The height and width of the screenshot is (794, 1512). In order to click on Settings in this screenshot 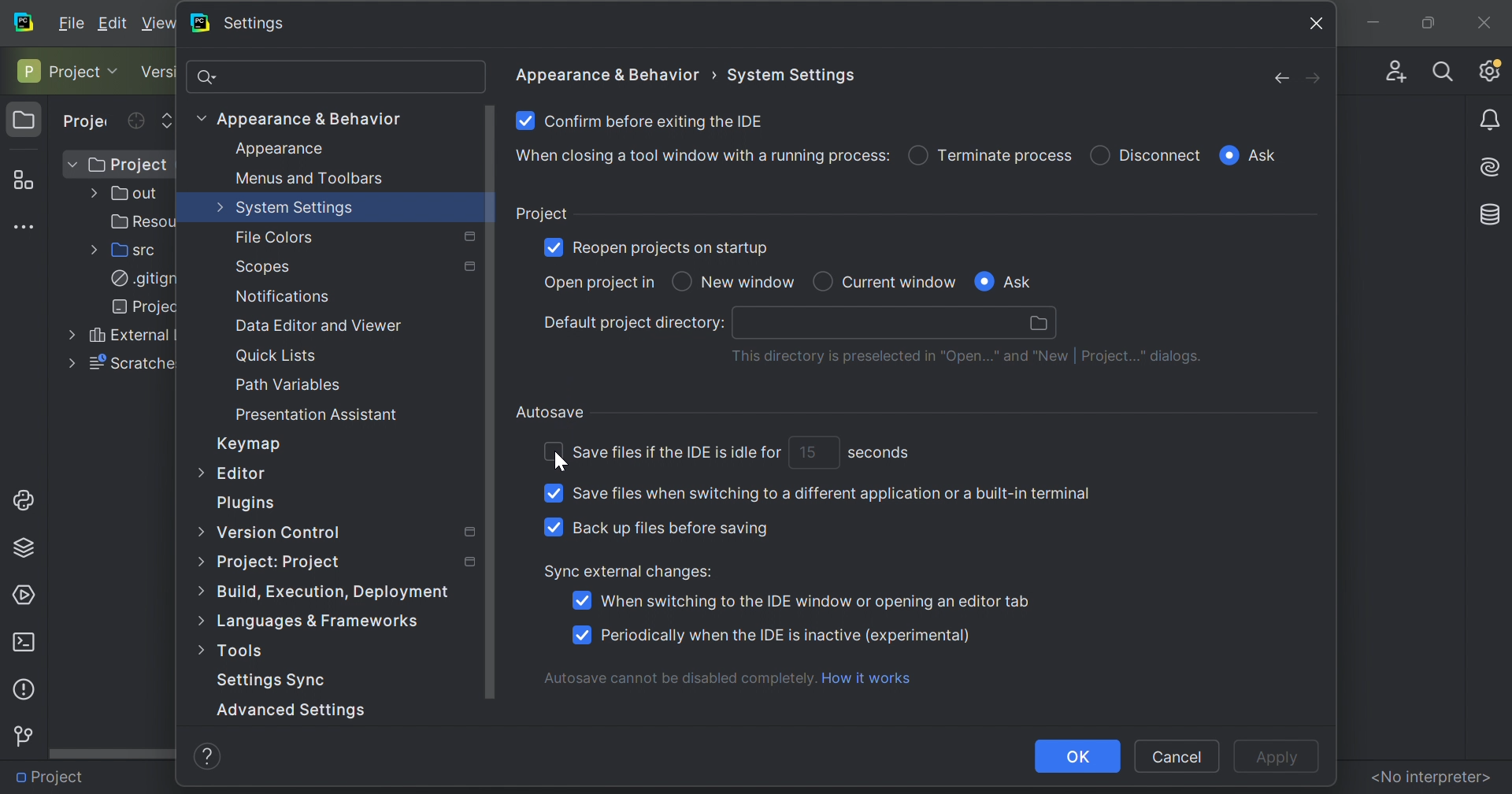, I will do `click(255, 24)`.